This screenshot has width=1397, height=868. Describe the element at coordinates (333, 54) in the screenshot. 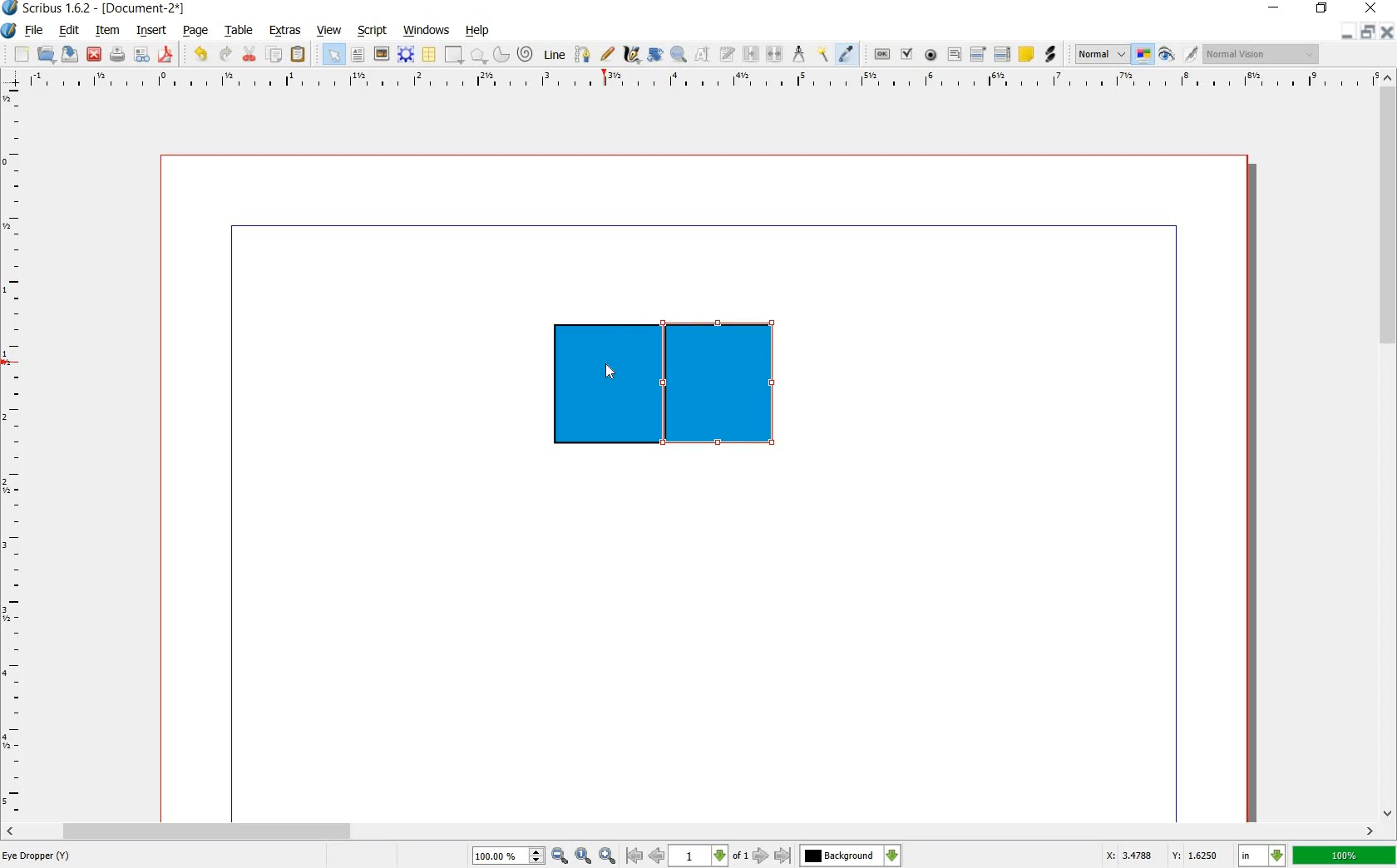

I see `text frame` at that location.